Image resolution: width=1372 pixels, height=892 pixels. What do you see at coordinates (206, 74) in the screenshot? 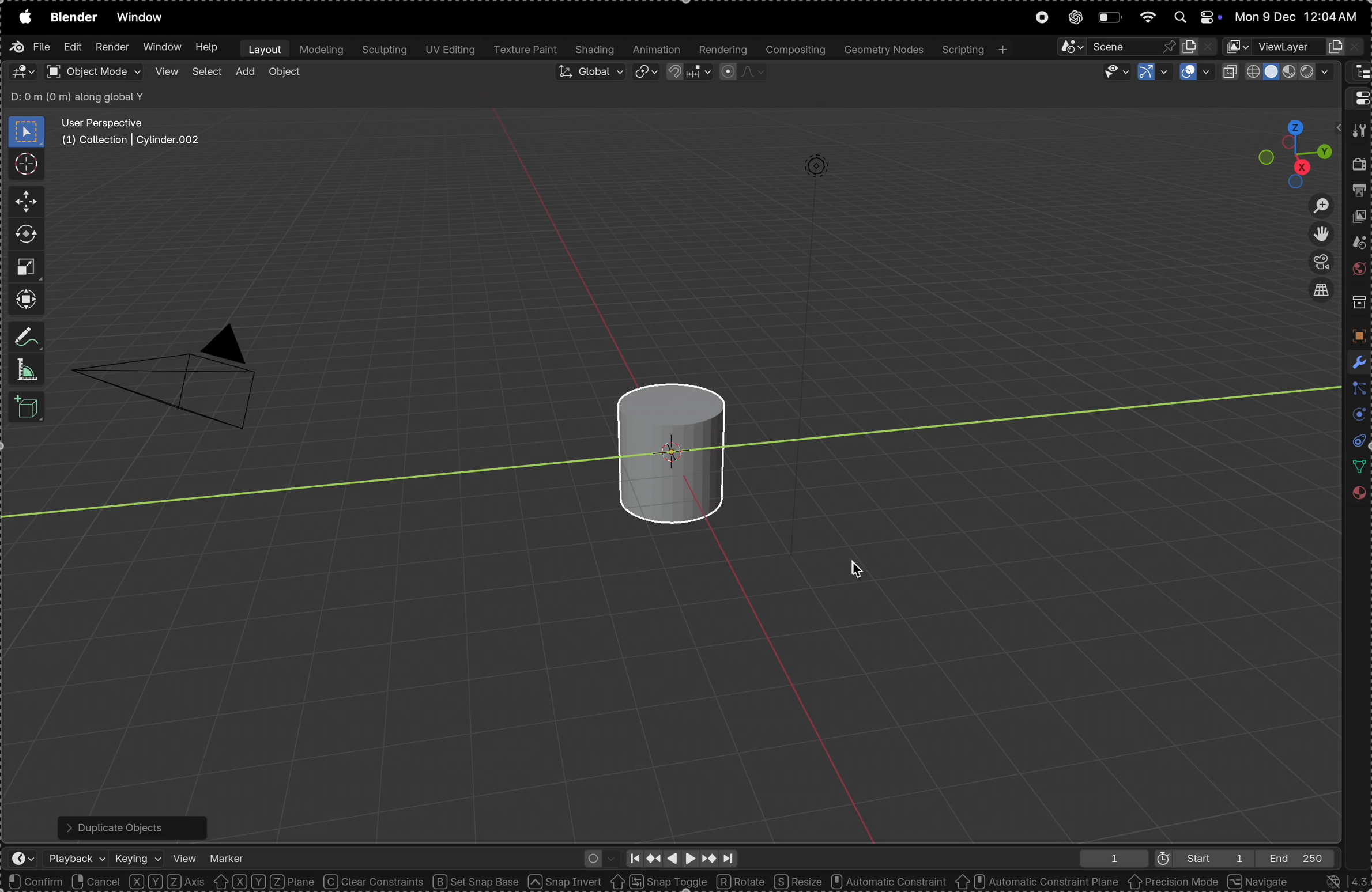
I see `select` at bounding box center [206, 74].